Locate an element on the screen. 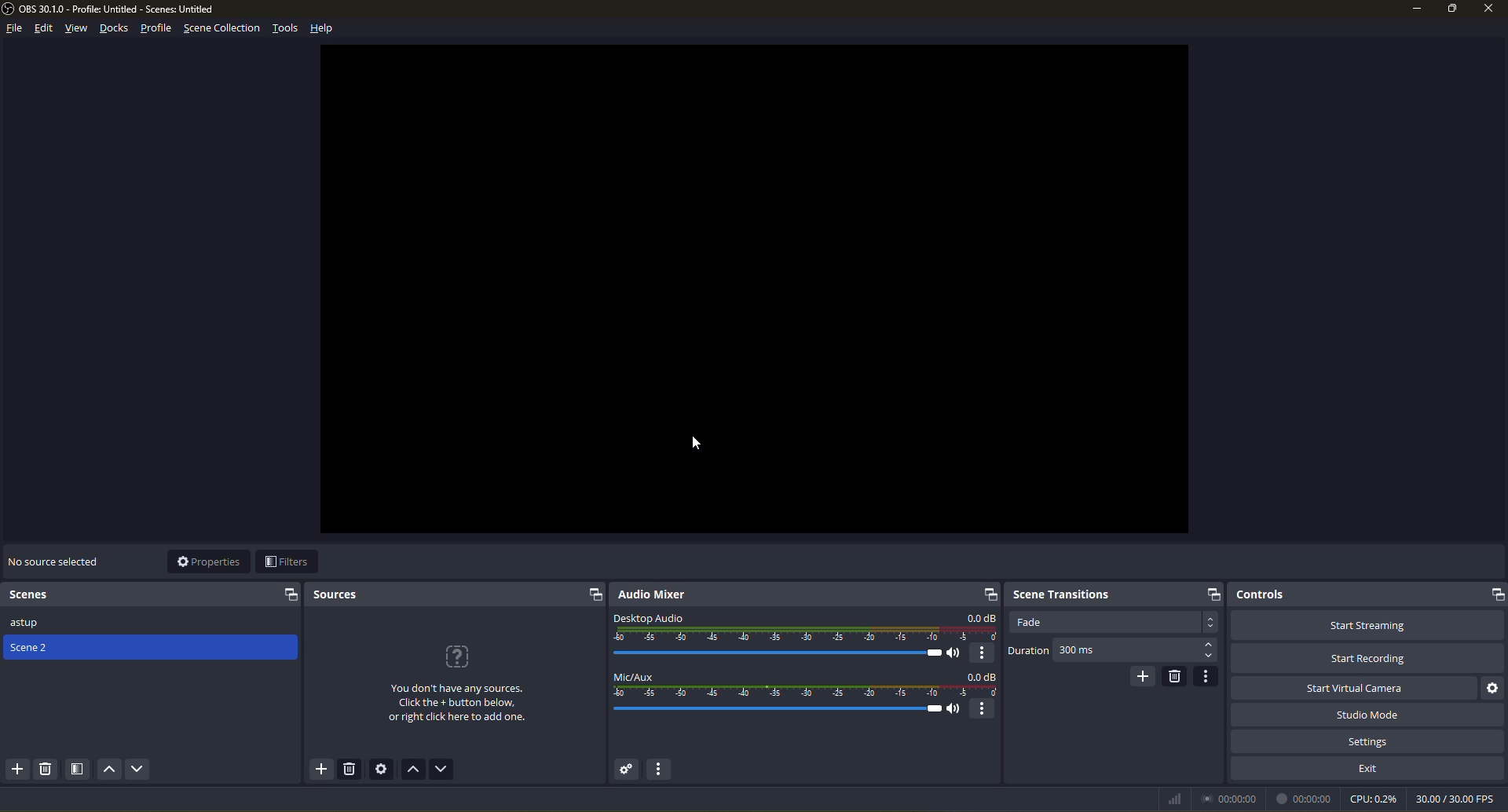 Image resolution: width=1508 pixels, height=812 pixels. sources is located at coordinates (335, 595).